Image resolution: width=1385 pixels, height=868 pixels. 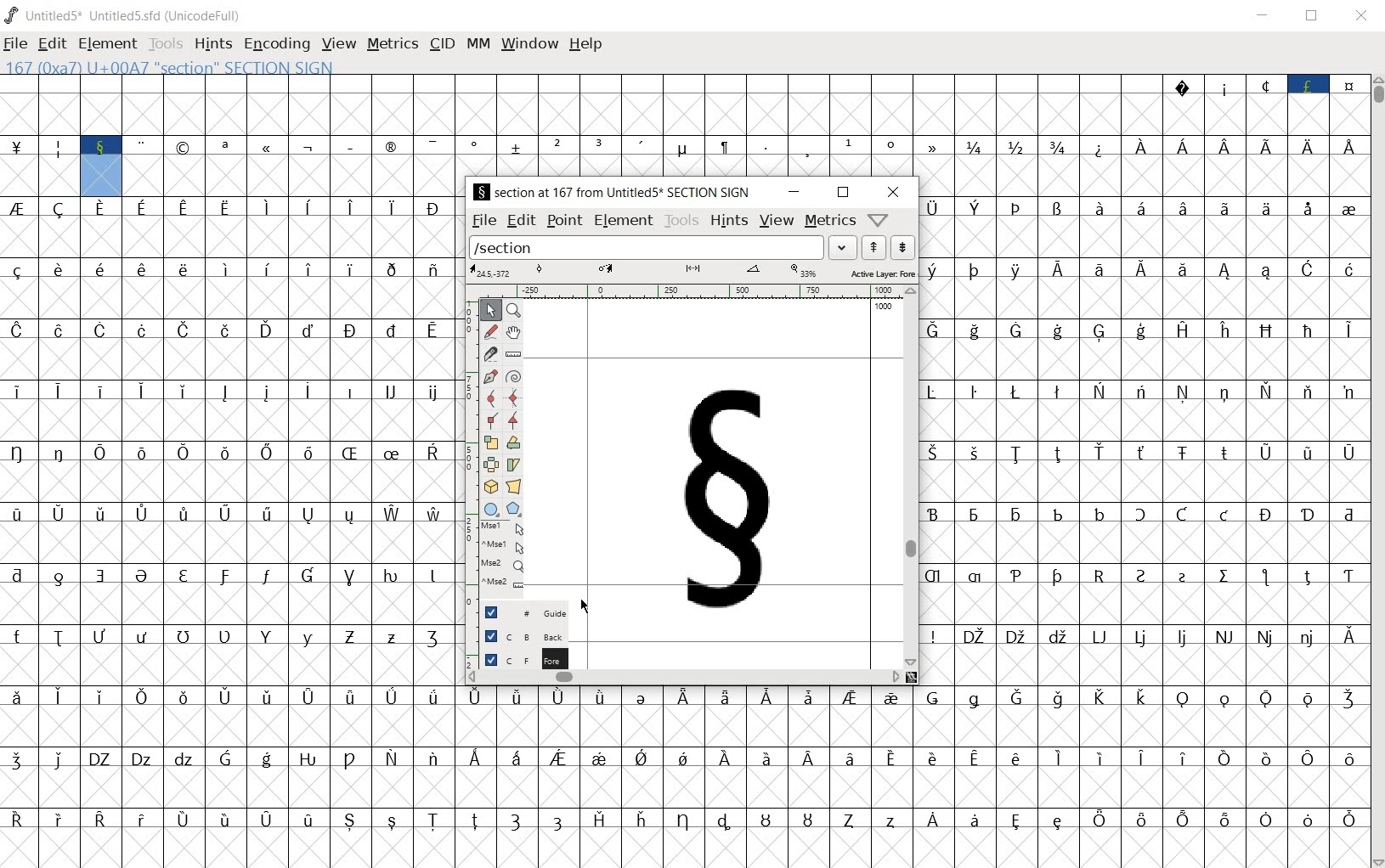 I want to click on TOOLS, so click(x=166, y=44).